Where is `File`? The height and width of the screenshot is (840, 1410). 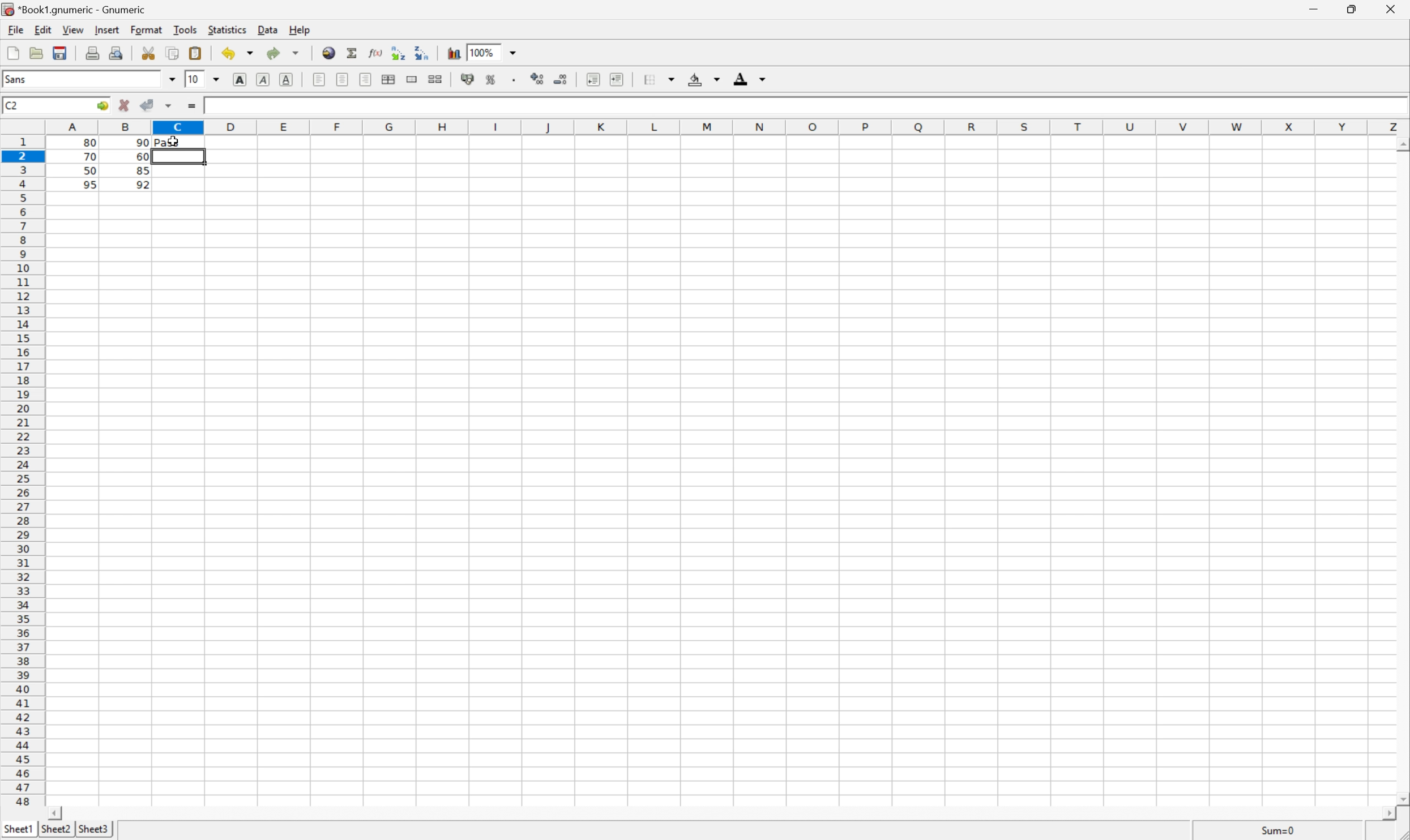 File is located at coordinates (17, 30).